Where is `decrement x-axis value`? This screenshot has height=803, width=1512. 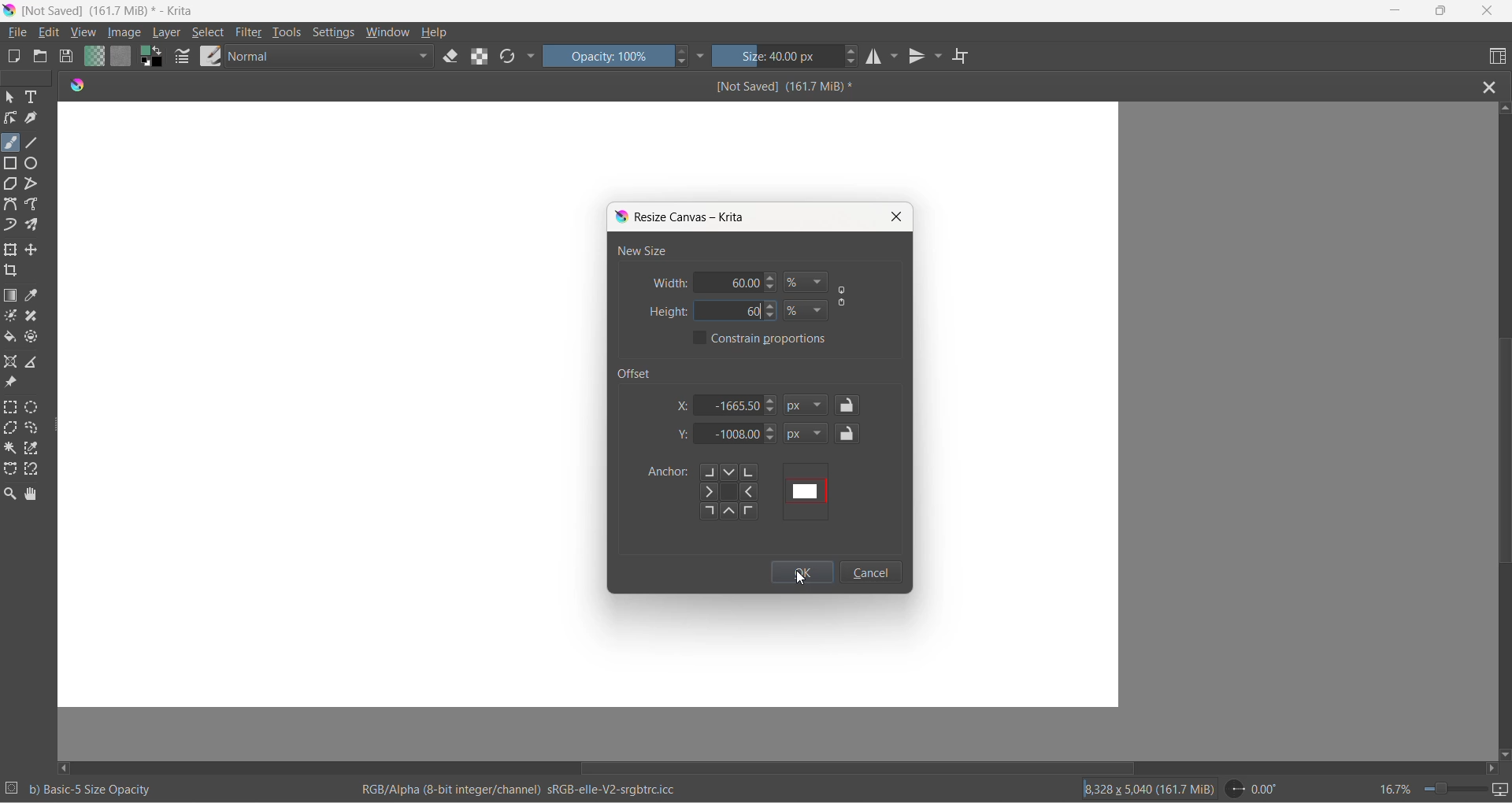
decrement x-axis value is located at coordinates (771, 412).